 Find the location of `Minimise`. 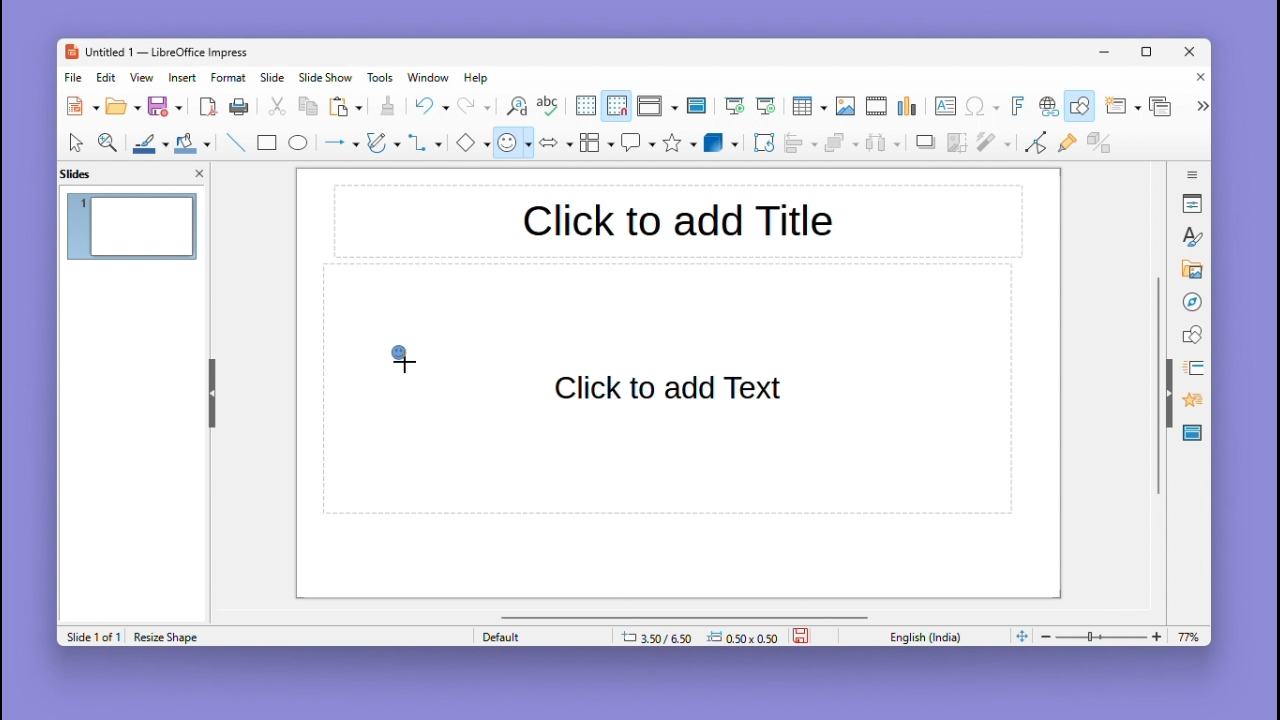

Minimise is located at coordinates (1107, 51).